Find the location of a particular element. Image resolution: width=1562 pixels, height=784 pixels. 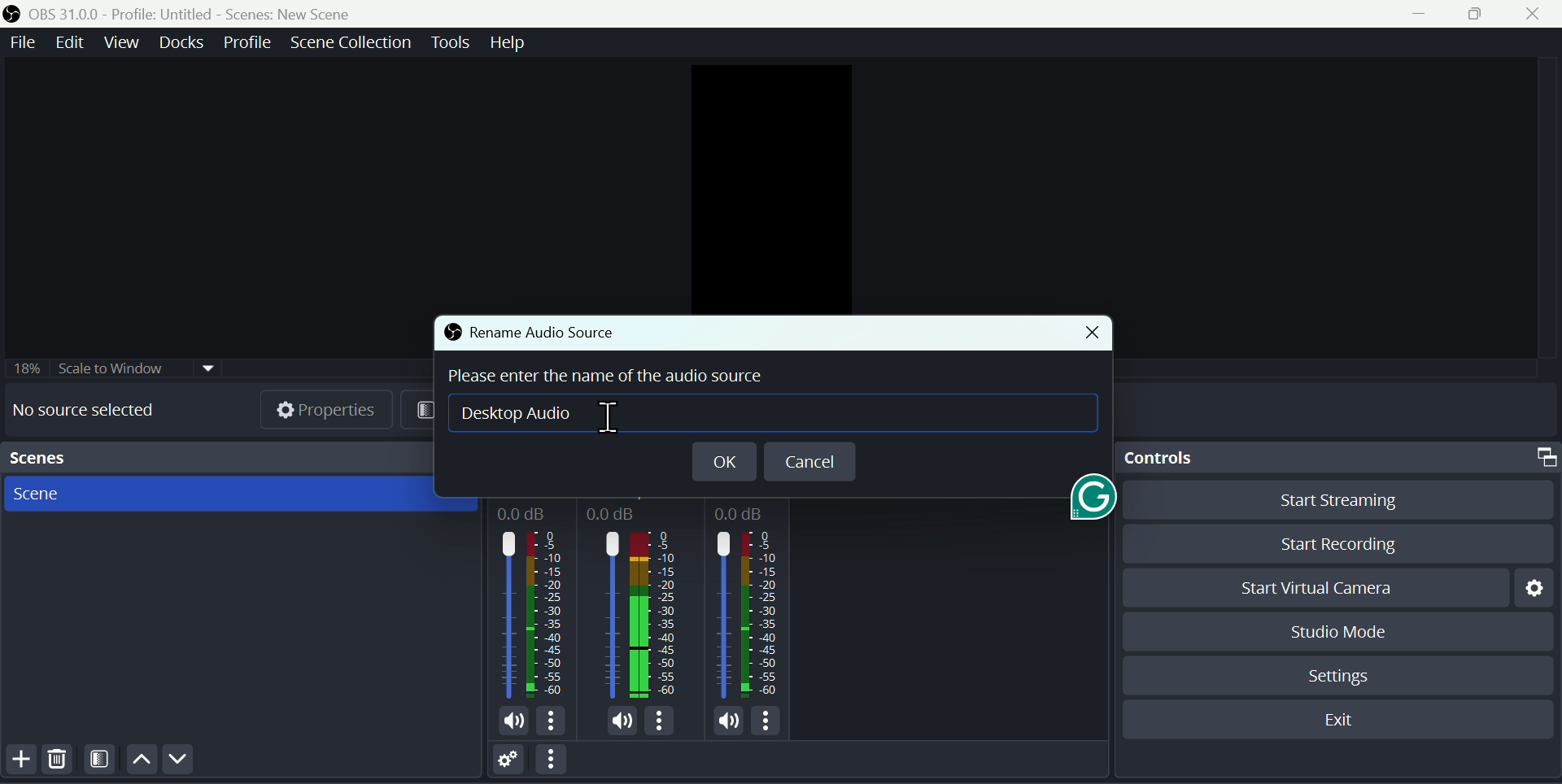

OBS 31.0.0 Profile: Untitled - Scenes: New Scene is located at coordinates (200, 11).